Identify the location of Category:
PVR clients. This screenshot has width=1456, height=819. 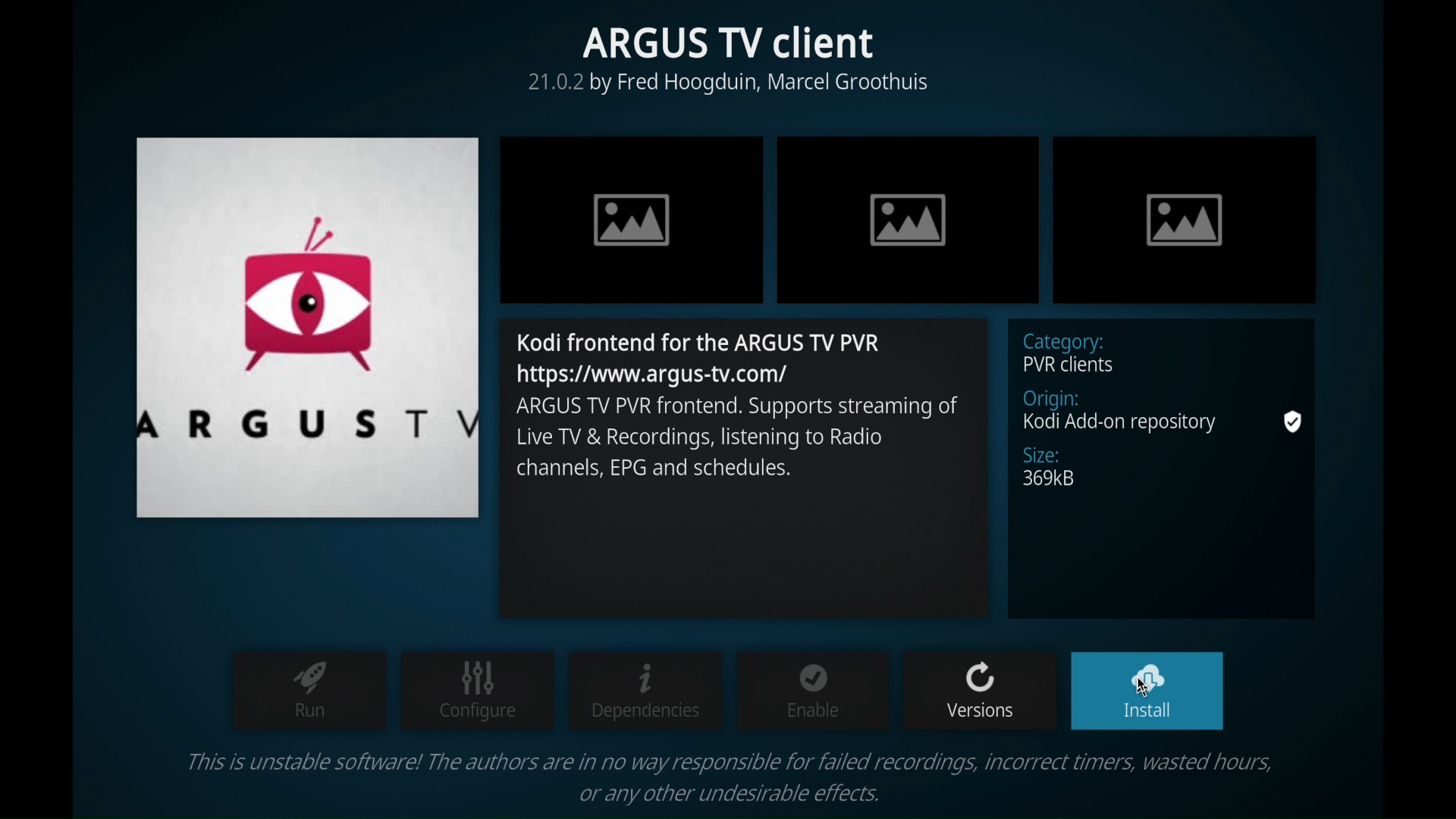
(1078, 354).